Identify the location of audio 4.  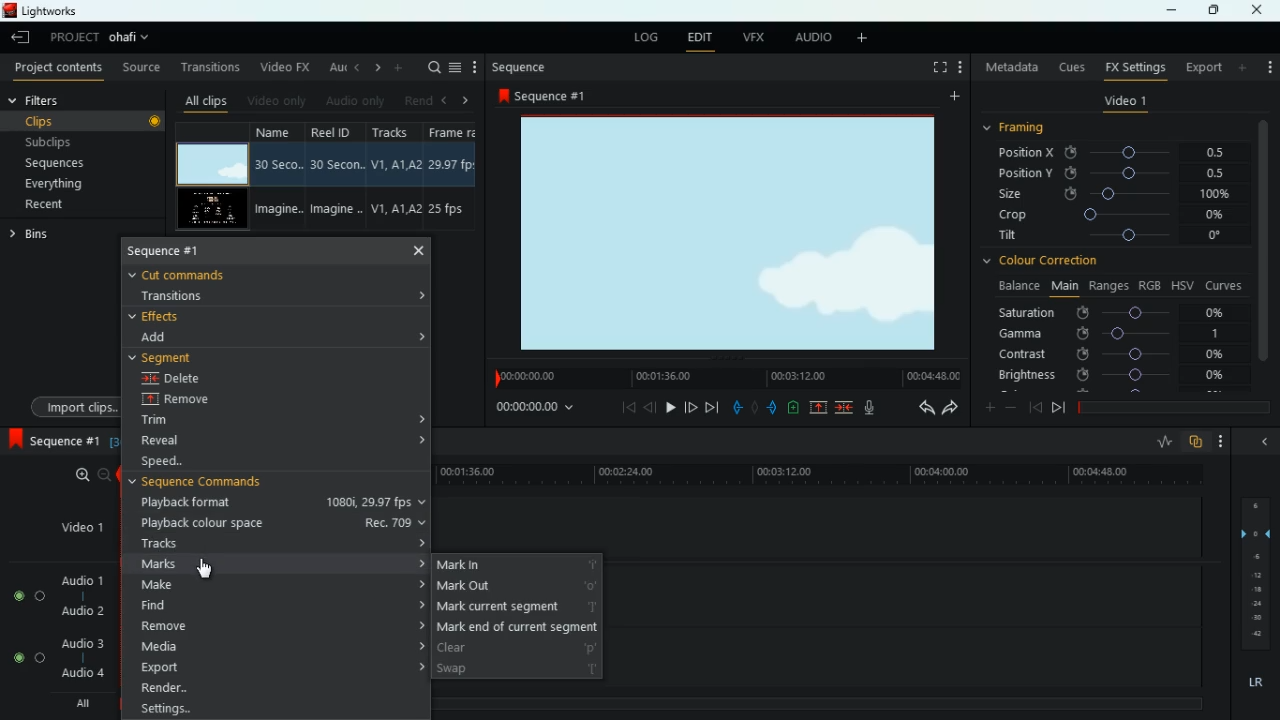
(79, 672).